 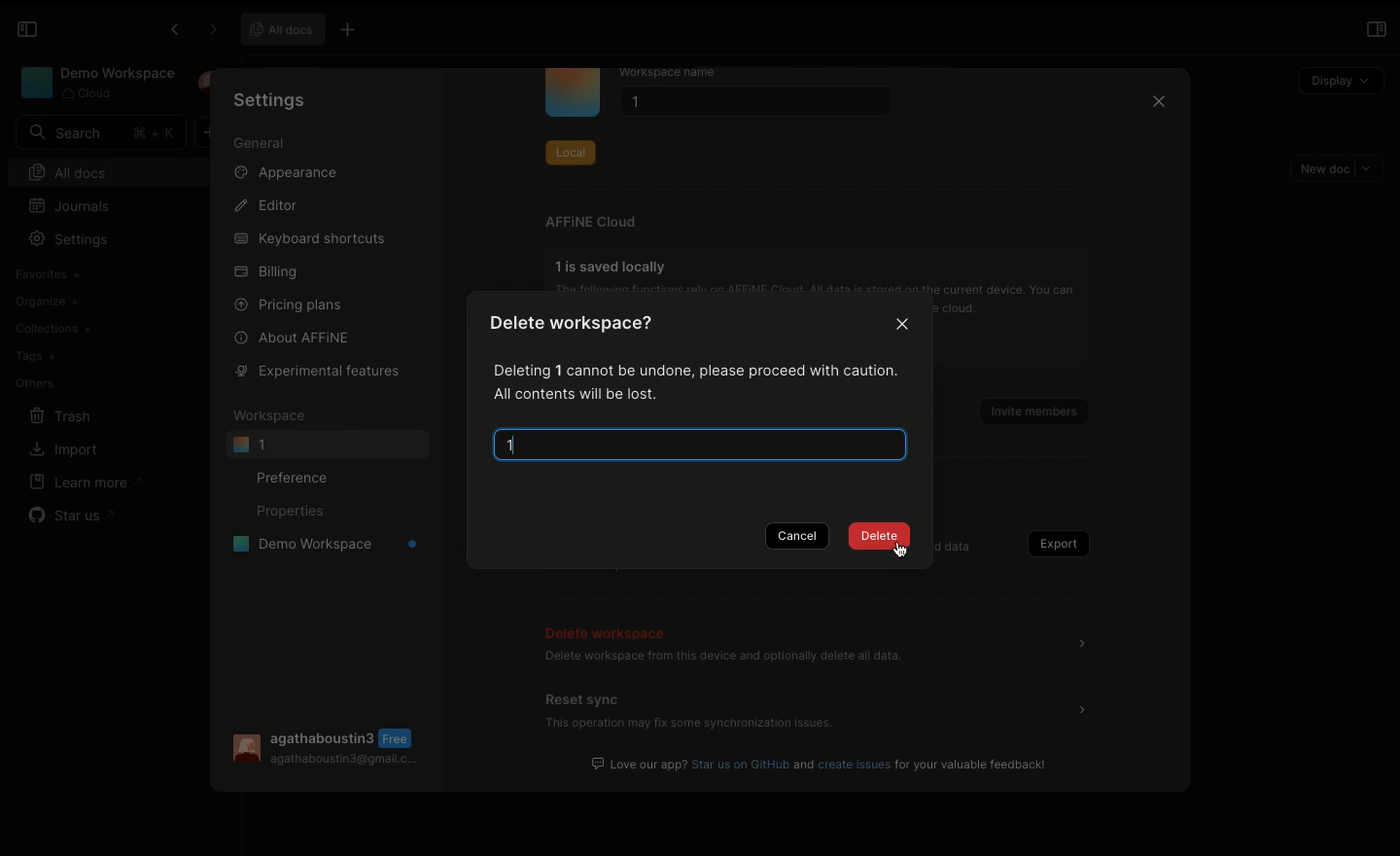 What do you see at coordinates (722, 659) in the screenshot?
I see `Delete workspace from this device and optionally delete all data.` at bounding box center [722, 659].